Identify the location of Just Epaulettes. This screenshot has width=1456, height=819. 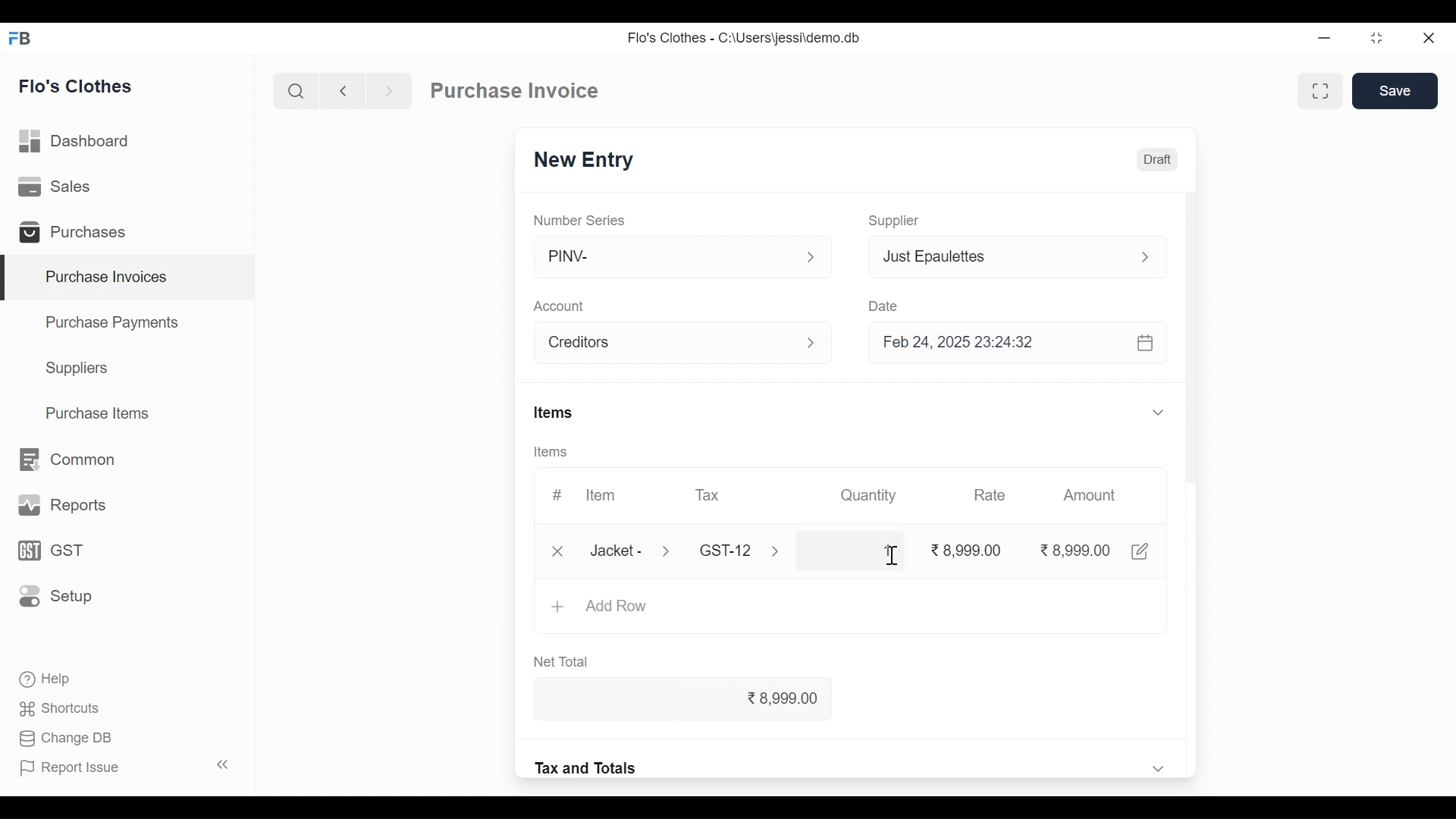
(999, 256).